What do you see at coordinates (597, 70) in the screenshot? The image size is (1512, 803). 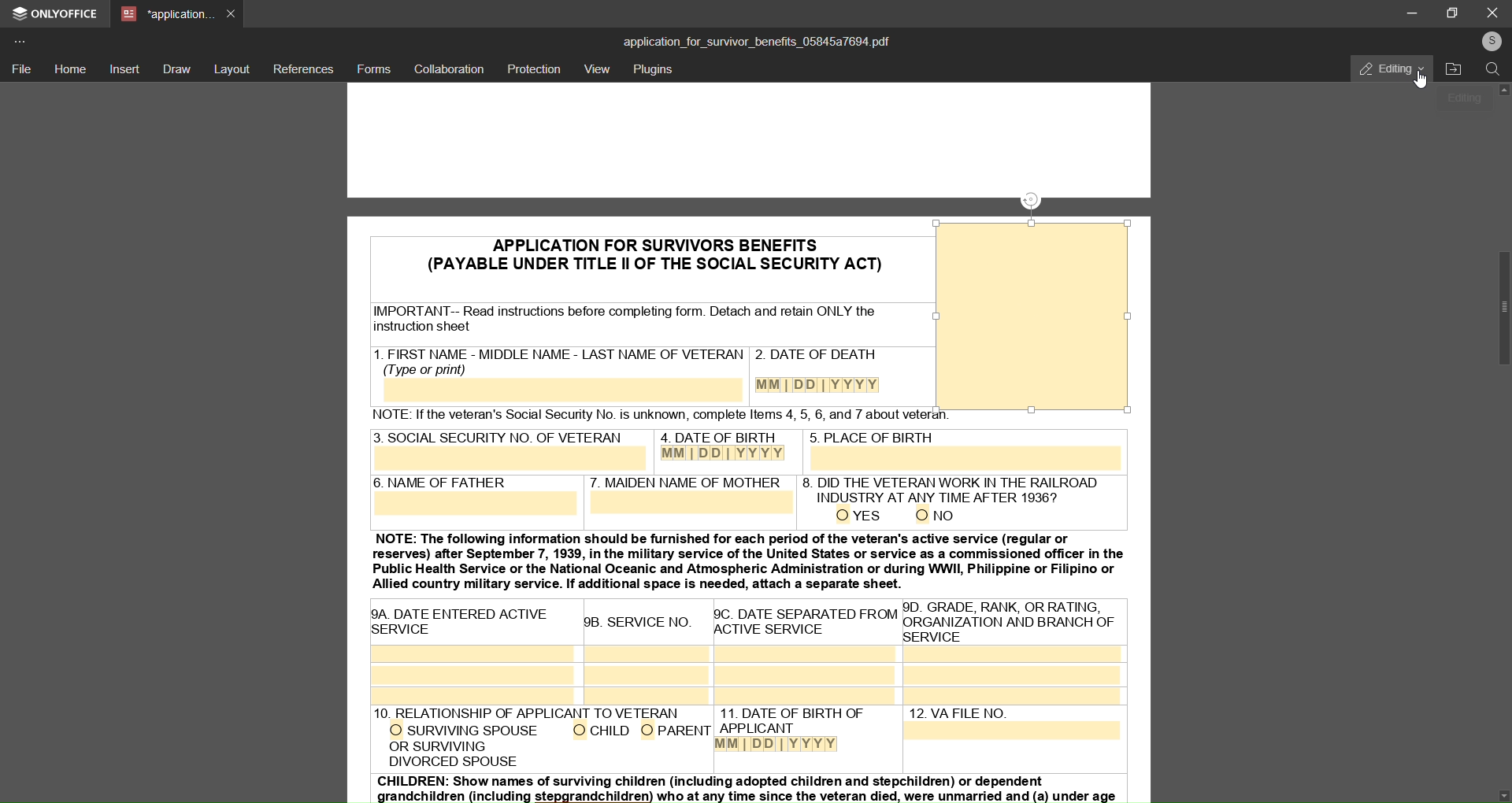 I see `view` at bounding box center [597, 70].